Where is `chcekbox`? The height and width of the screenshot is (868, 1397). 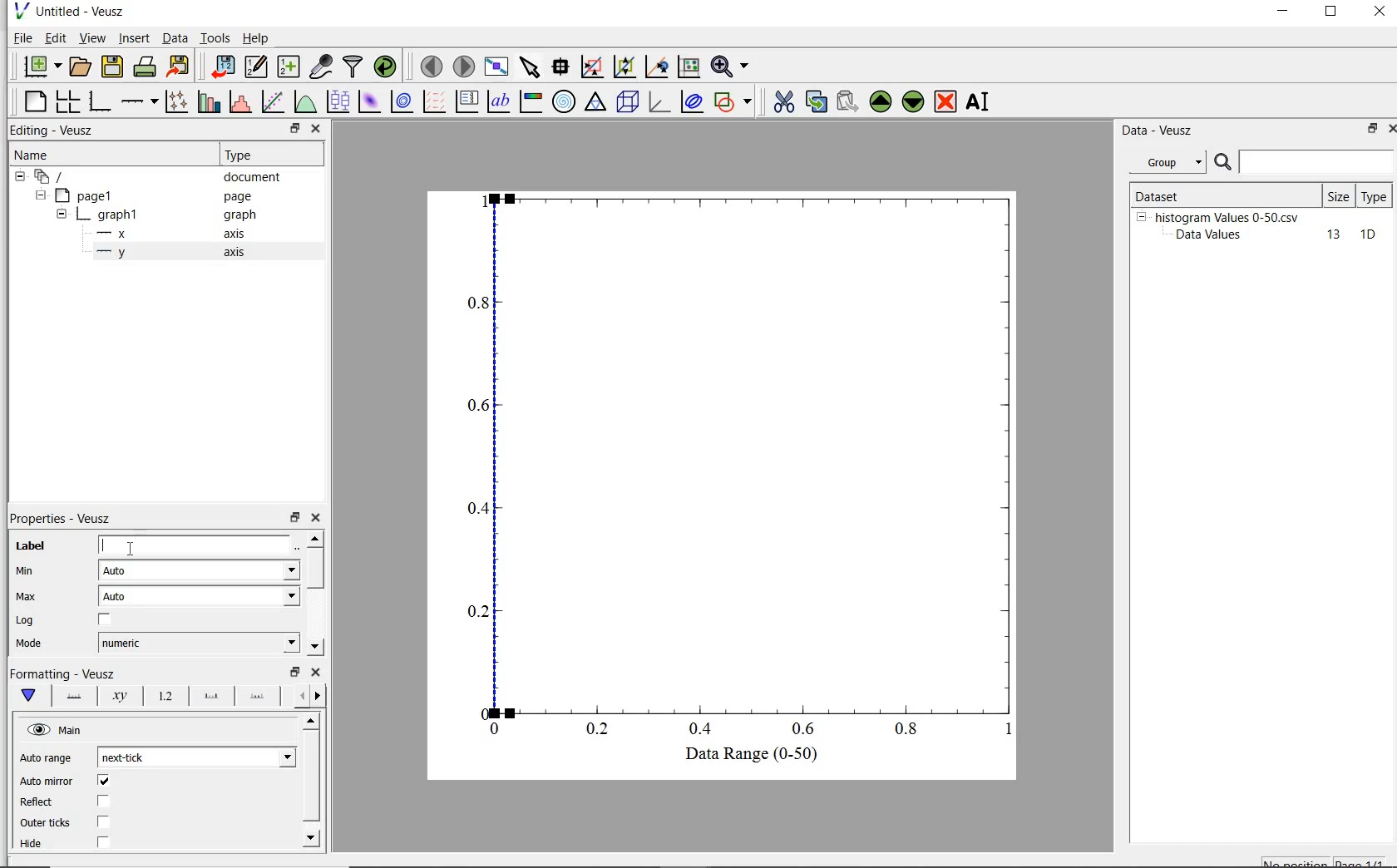
chcekbox is located at coordinates (106, 620).